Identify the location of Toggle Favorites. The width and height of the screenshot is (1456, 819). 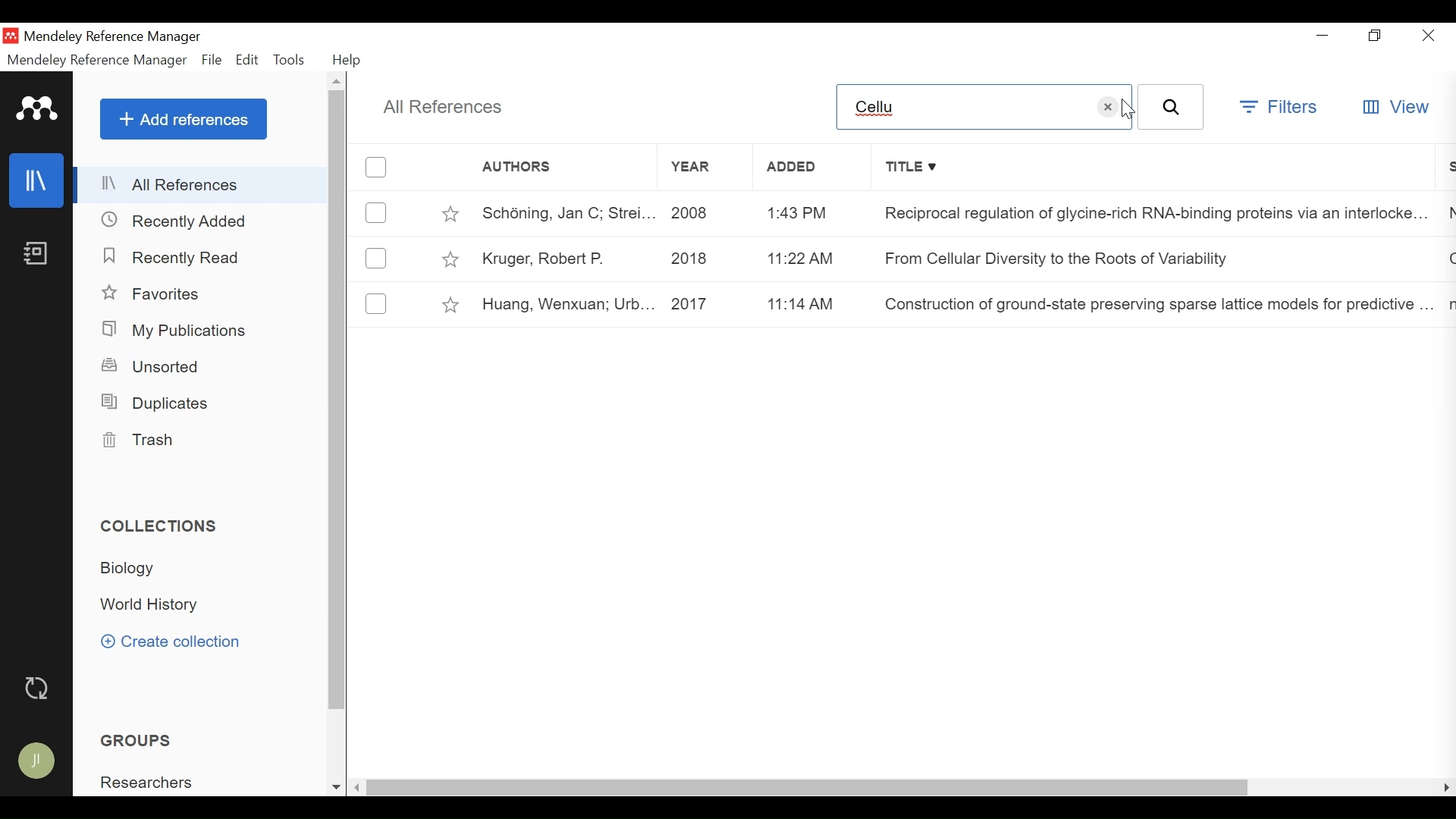
(451, 259).